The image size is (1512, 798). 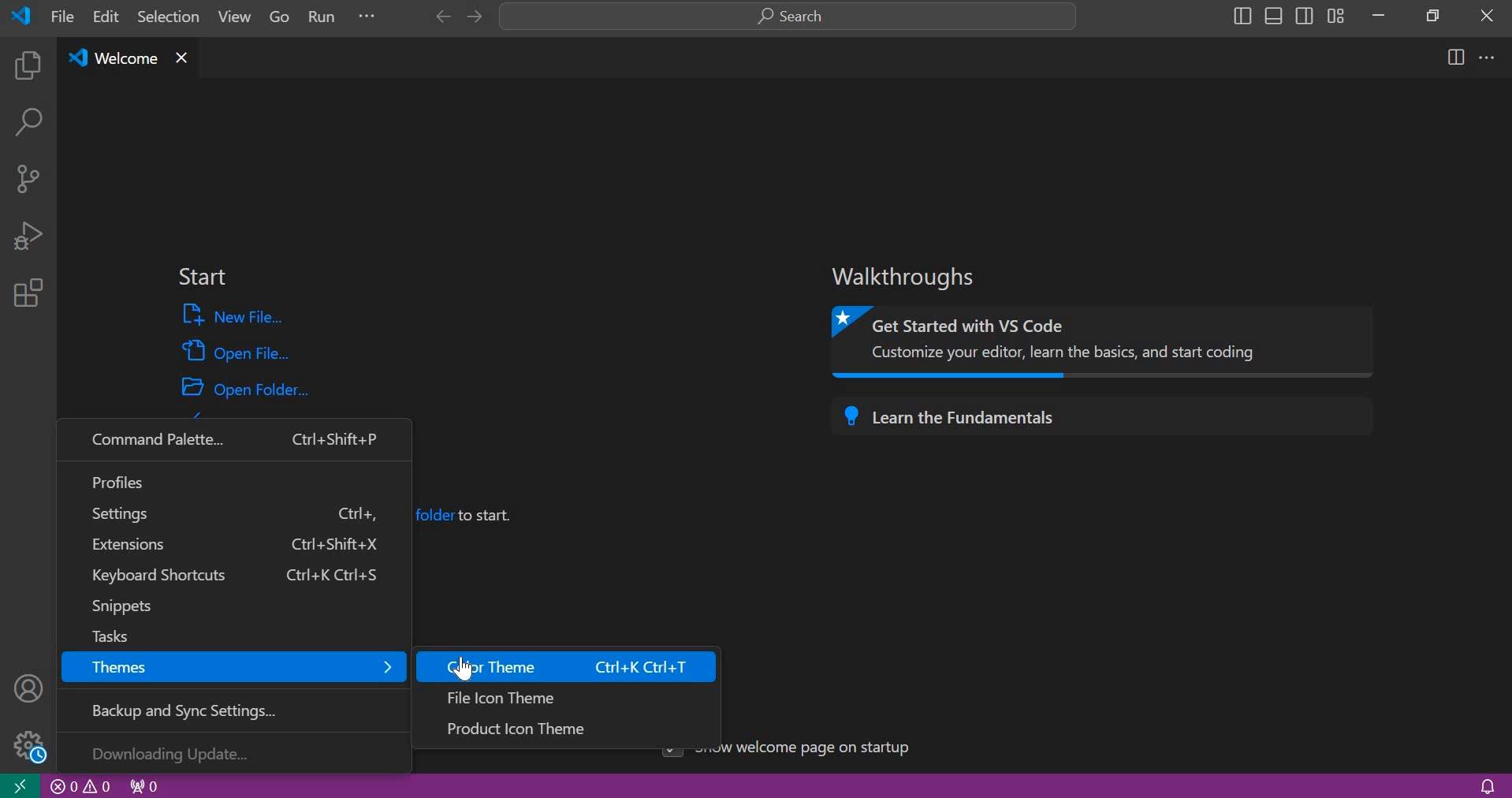 What do you see at coordinates (1487, 785) in the screenshot?
I see `no notifications` at bounding box center [1487, 785].